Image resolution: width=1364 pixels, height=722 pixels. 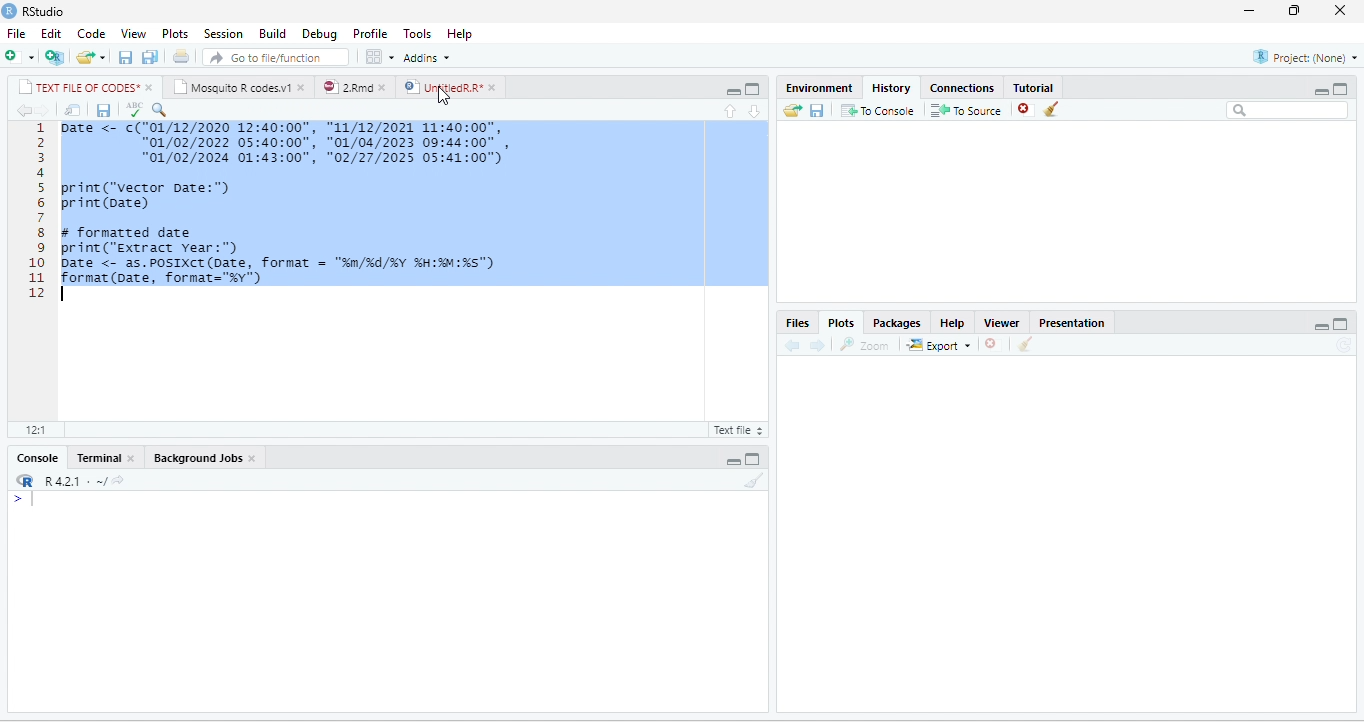 I want to click on Edit, so click(x=51, y=34).